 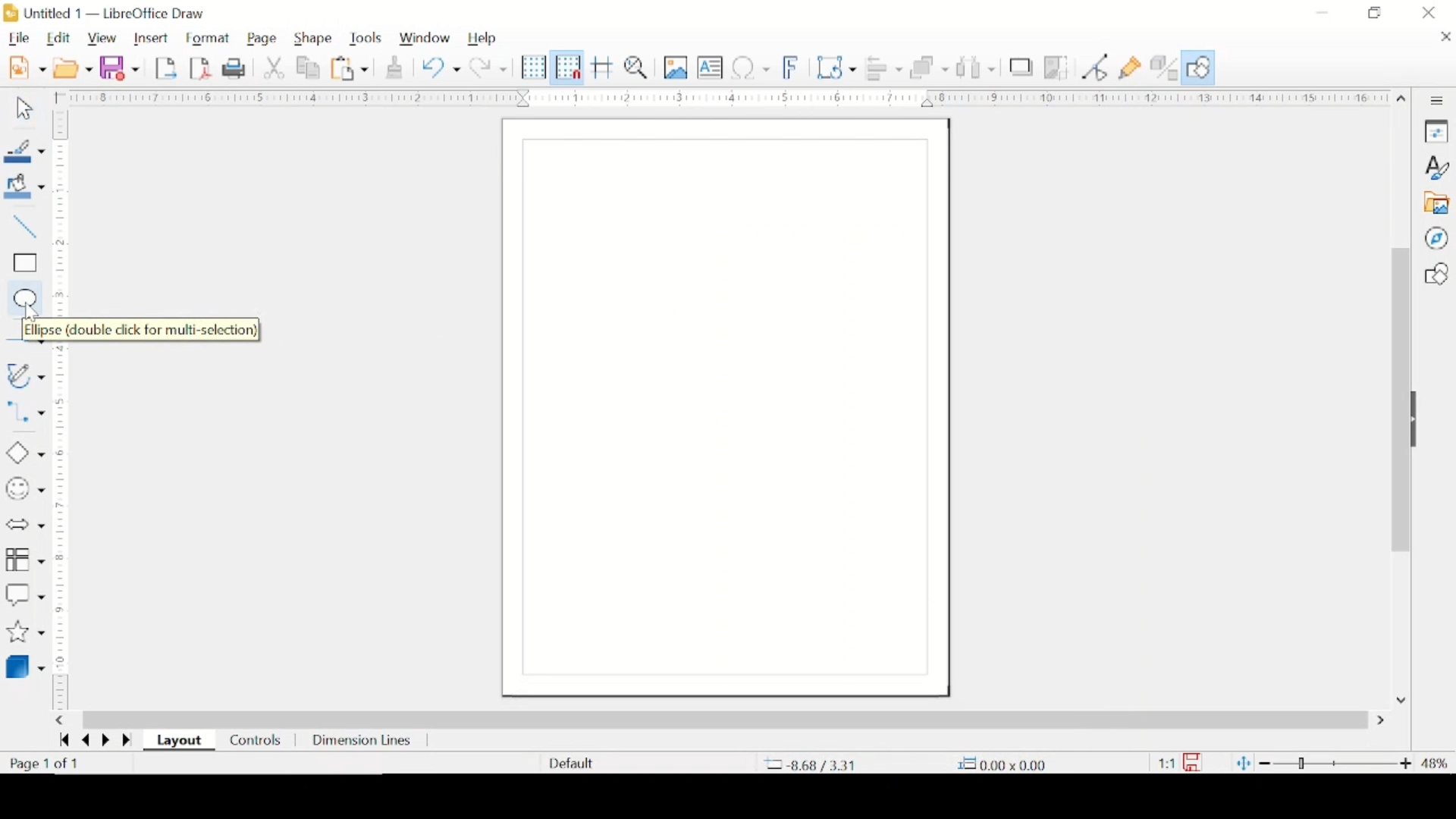 What do you see at coordinates (1439, 203) in the screenshot?
I see `gallery` at bounding box center [1439, 203].